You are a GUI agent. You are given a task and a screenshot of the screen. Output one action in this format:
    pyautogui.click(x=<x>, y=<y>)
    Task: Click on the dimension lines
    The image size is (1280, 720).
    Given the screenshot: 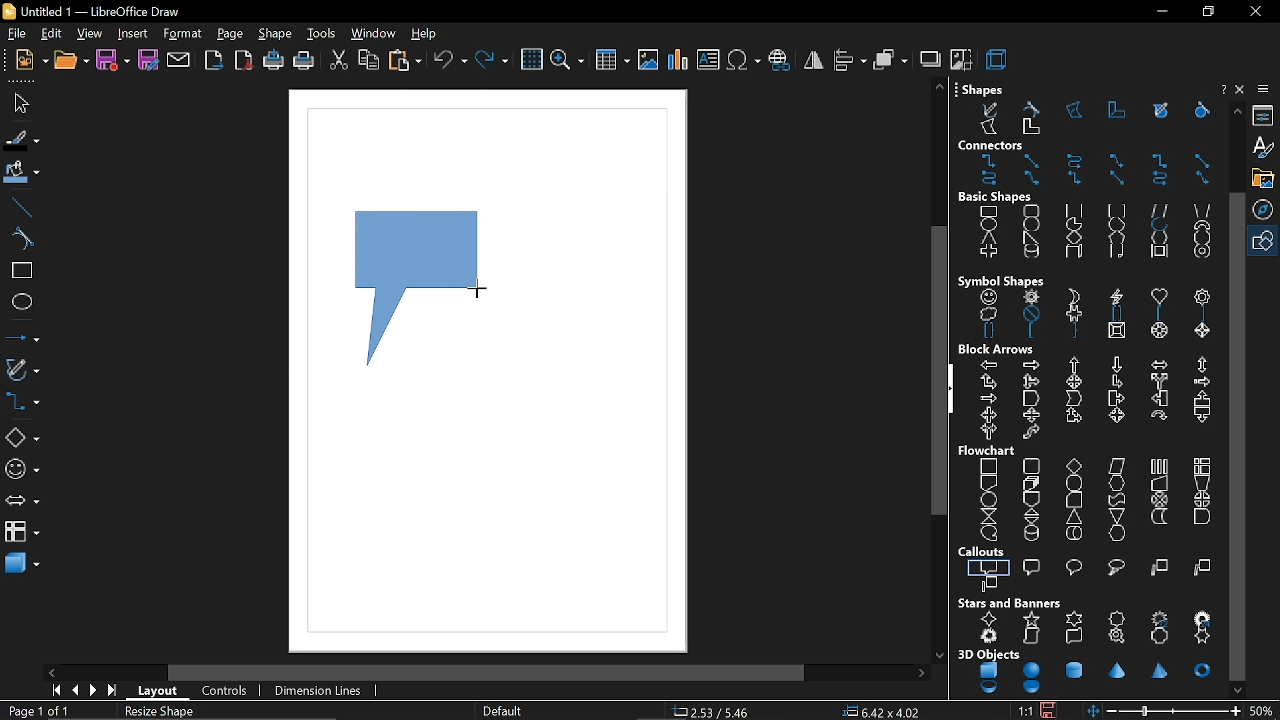 What is the action you would take?
    pyautogui.click(x=319, y=693)
    